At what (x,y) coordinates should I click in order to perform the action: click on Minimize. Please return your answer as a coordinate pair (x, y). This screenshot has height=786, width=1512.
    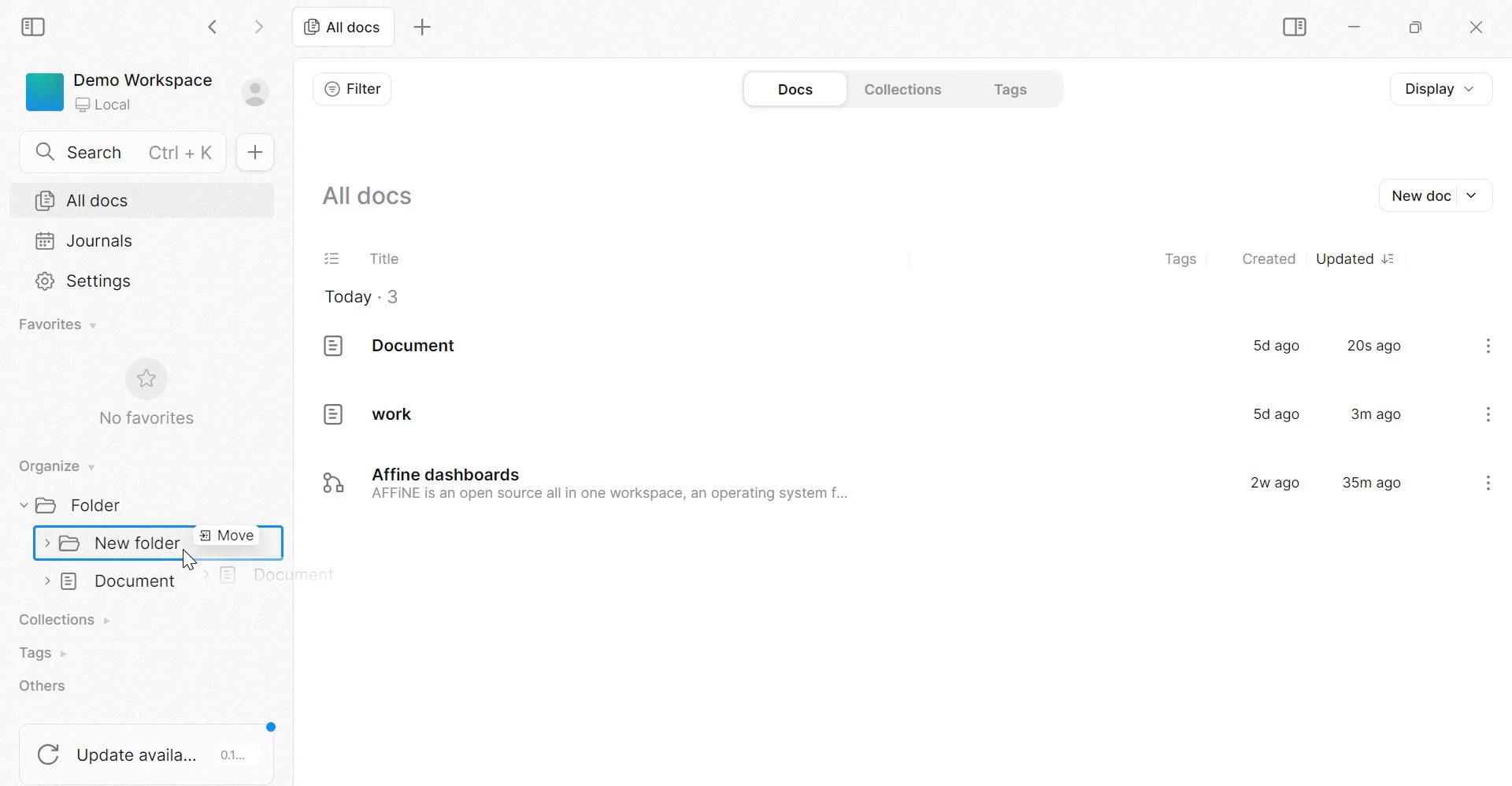
    Looking at the image, I should click on (1354, 27).